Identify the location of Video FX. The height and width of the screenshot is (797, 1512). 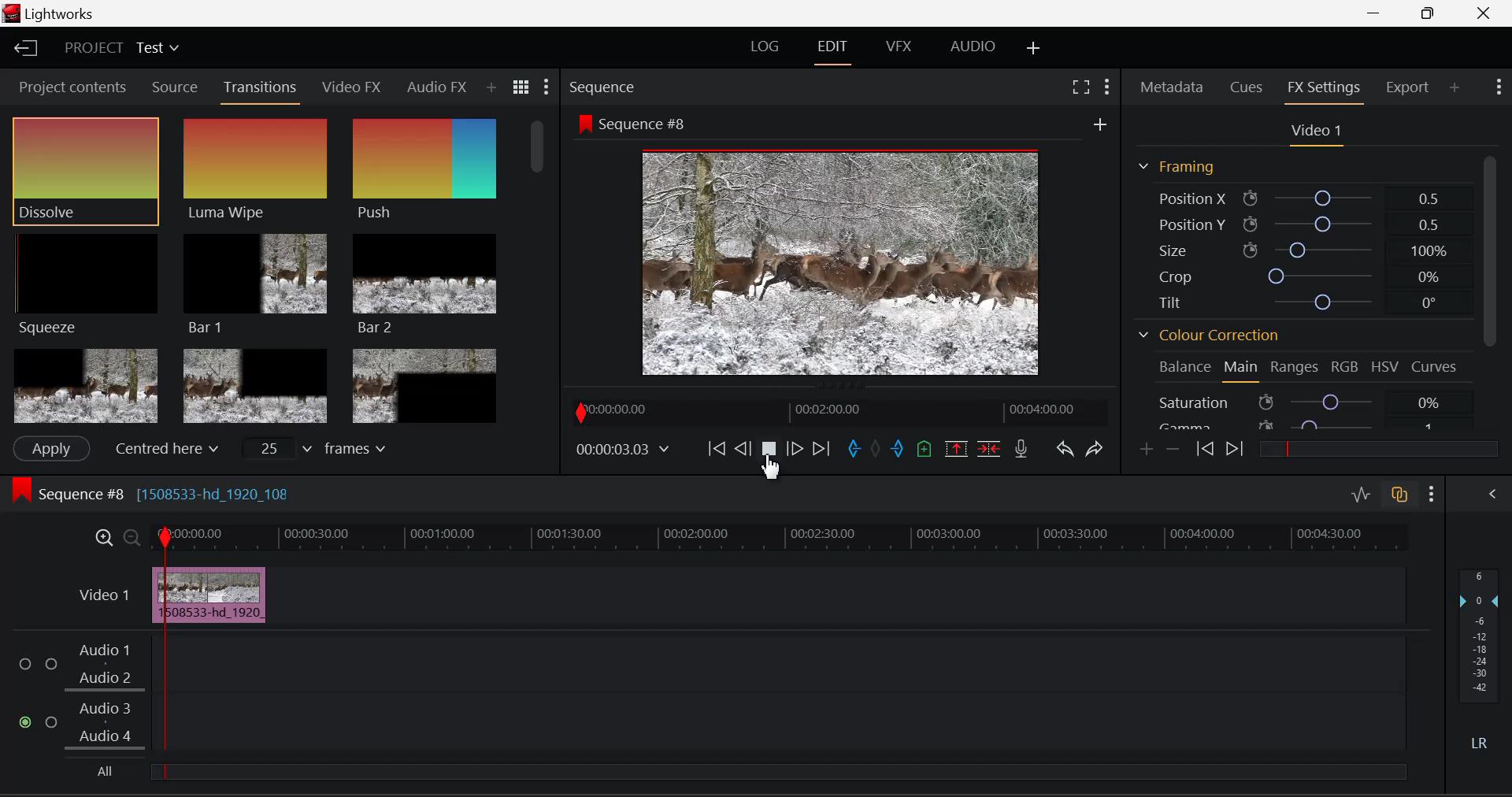
(353, 89).